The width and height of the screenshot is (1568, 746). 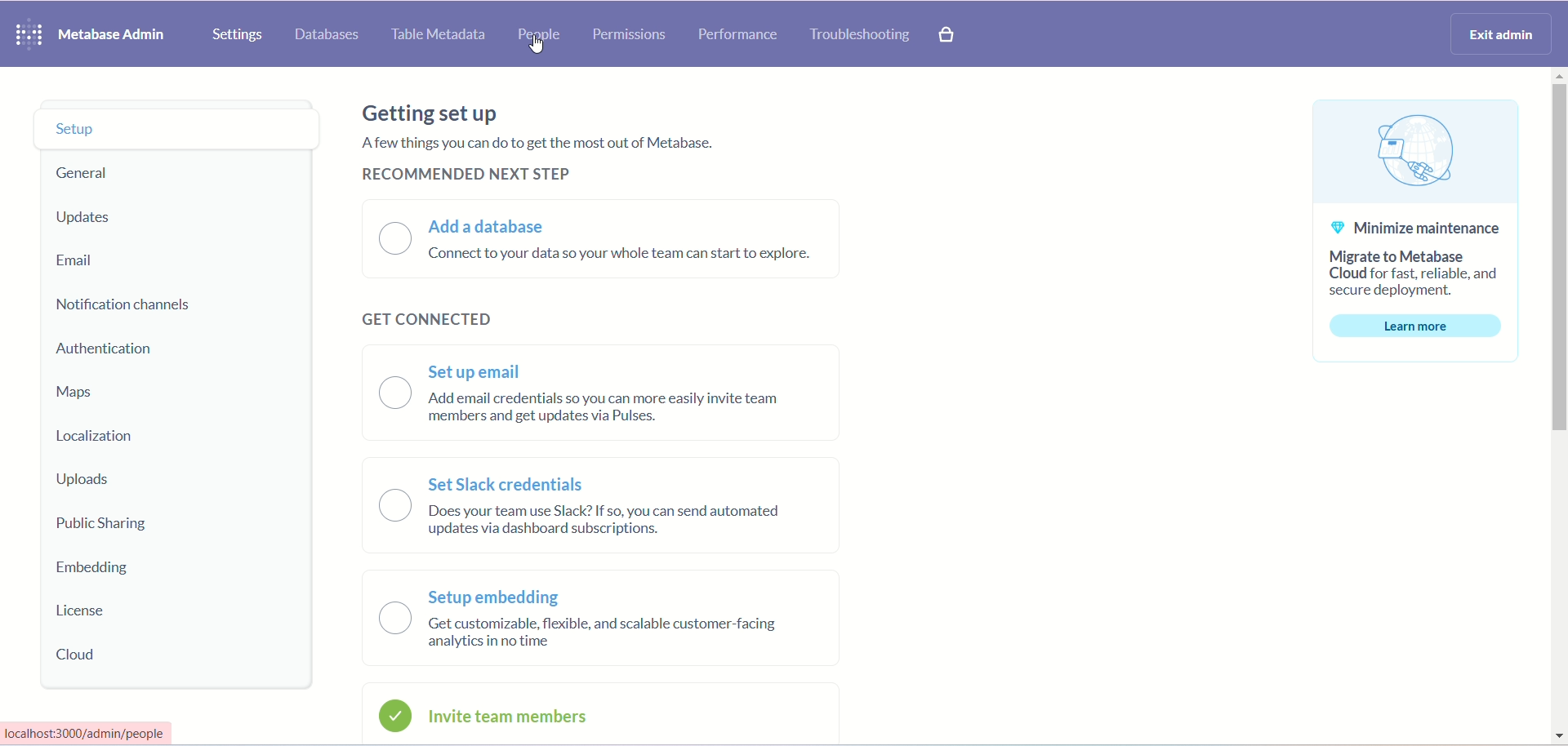 What do you see at coordinates (106, 526) in the screenshot?
I see `public sharing` at bounding box center [106, 526].